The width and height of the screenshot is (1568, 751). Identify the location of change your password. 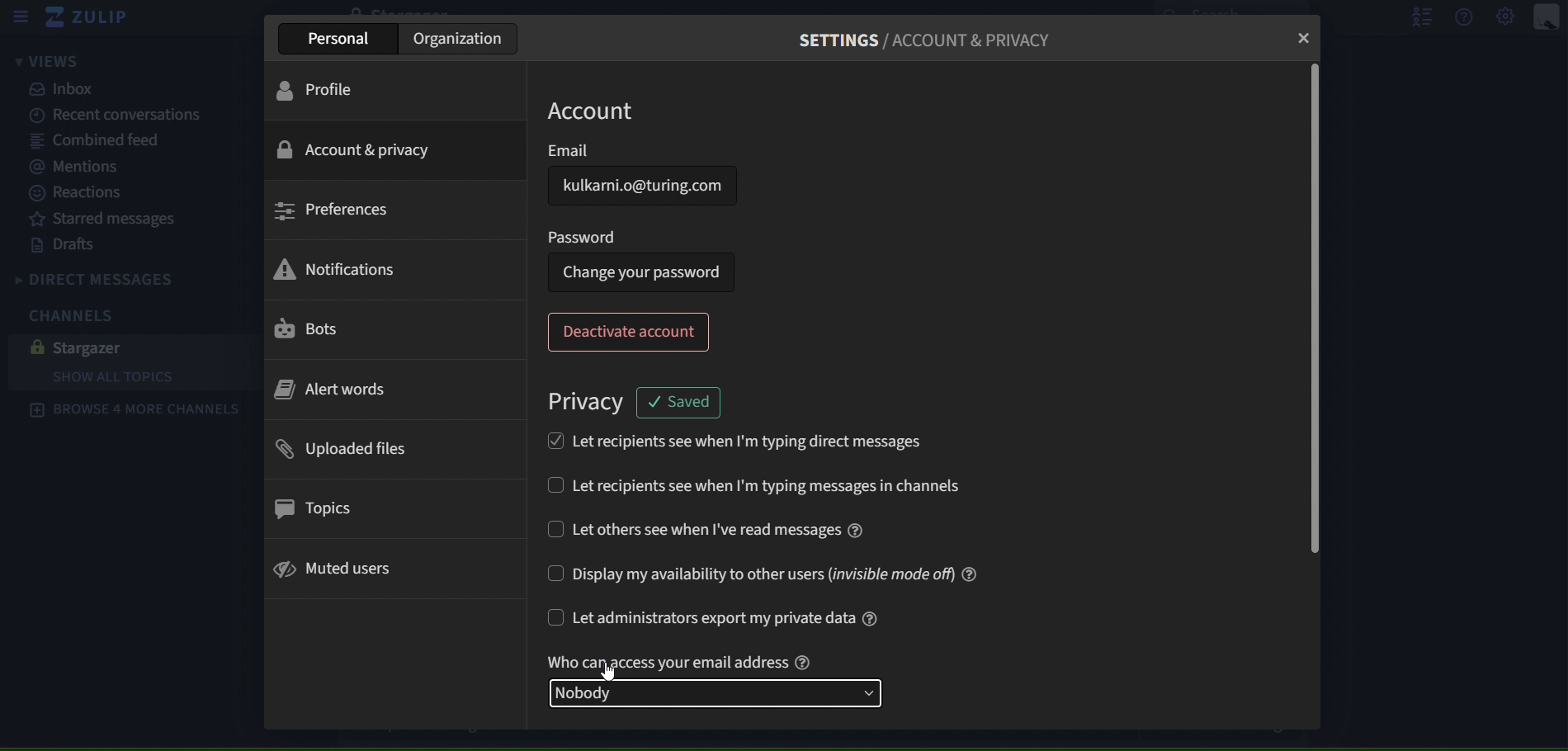
(641, 273).